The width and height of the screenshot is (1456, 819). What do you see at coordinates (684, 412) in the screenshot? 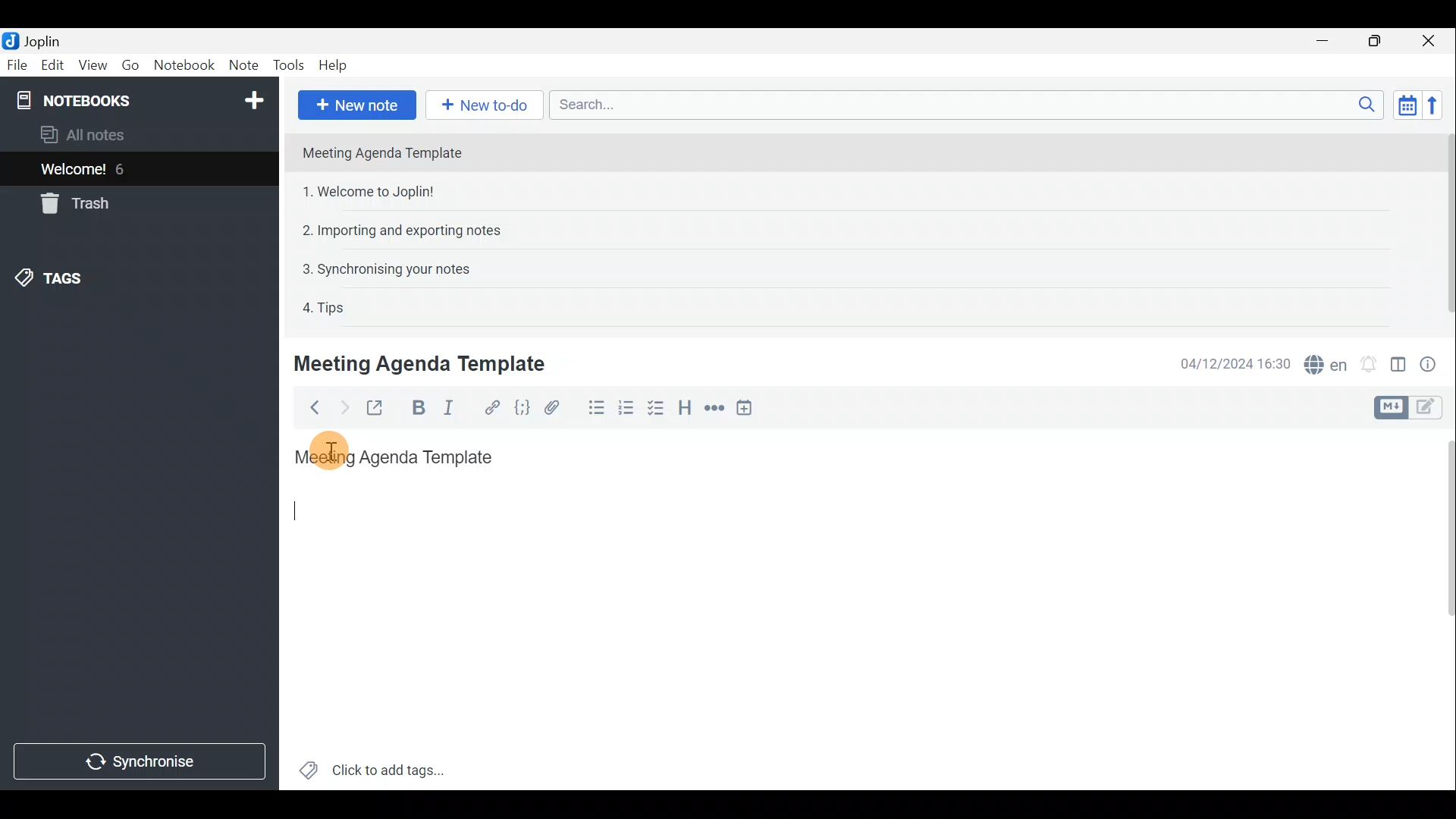
I see `Heading` at bounding box center [684, 412].